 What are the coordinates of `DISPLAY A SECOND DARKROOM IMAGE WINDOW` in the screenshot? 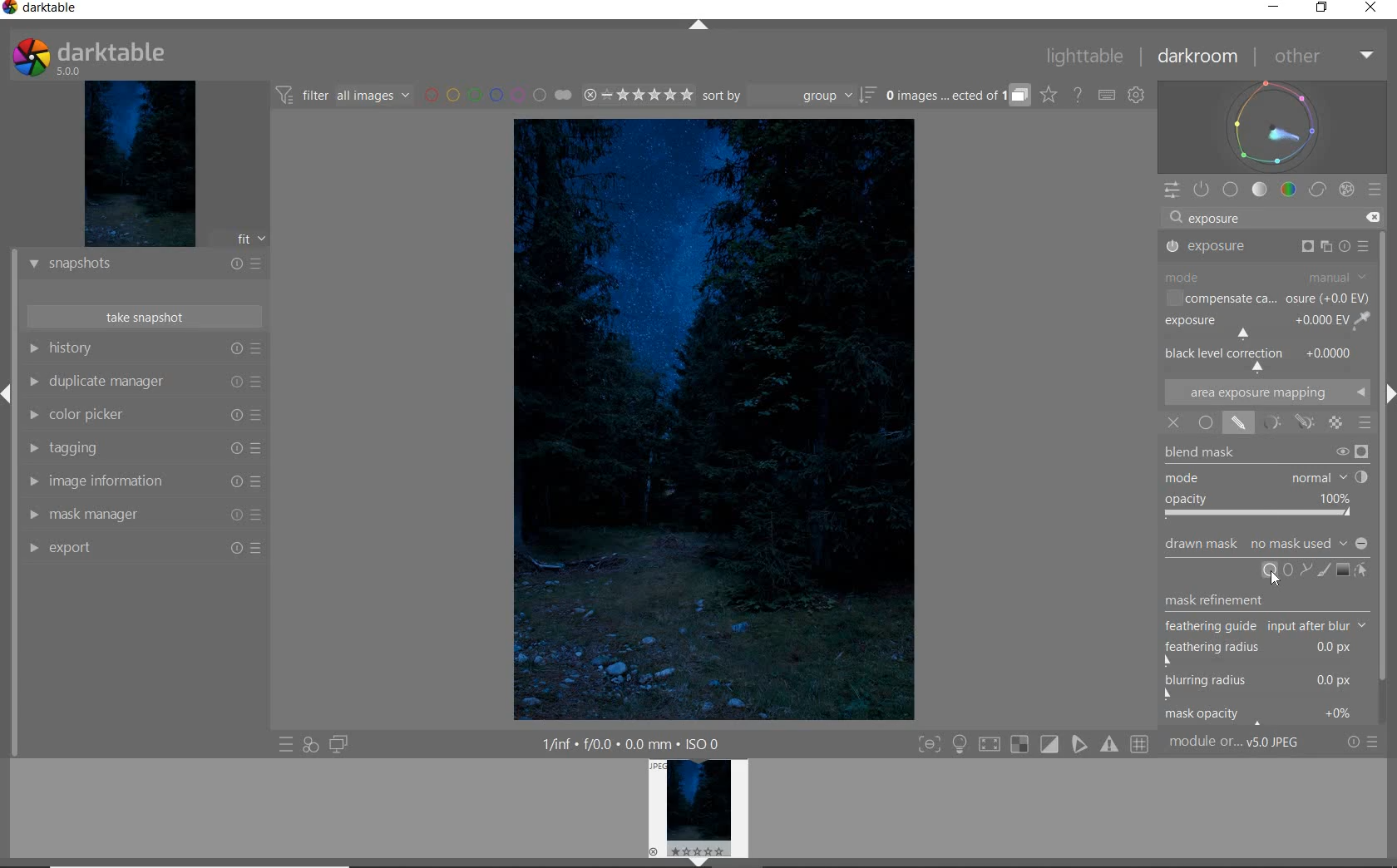 It's located at (342, 744).